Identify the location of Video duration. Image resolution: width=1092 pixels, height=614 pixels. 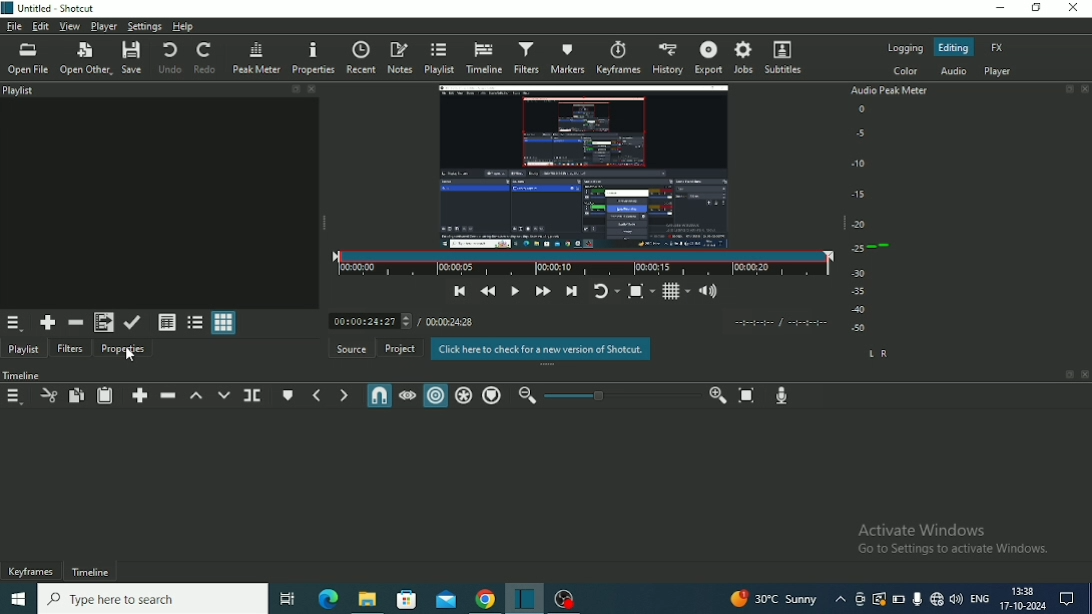
(583, 264).